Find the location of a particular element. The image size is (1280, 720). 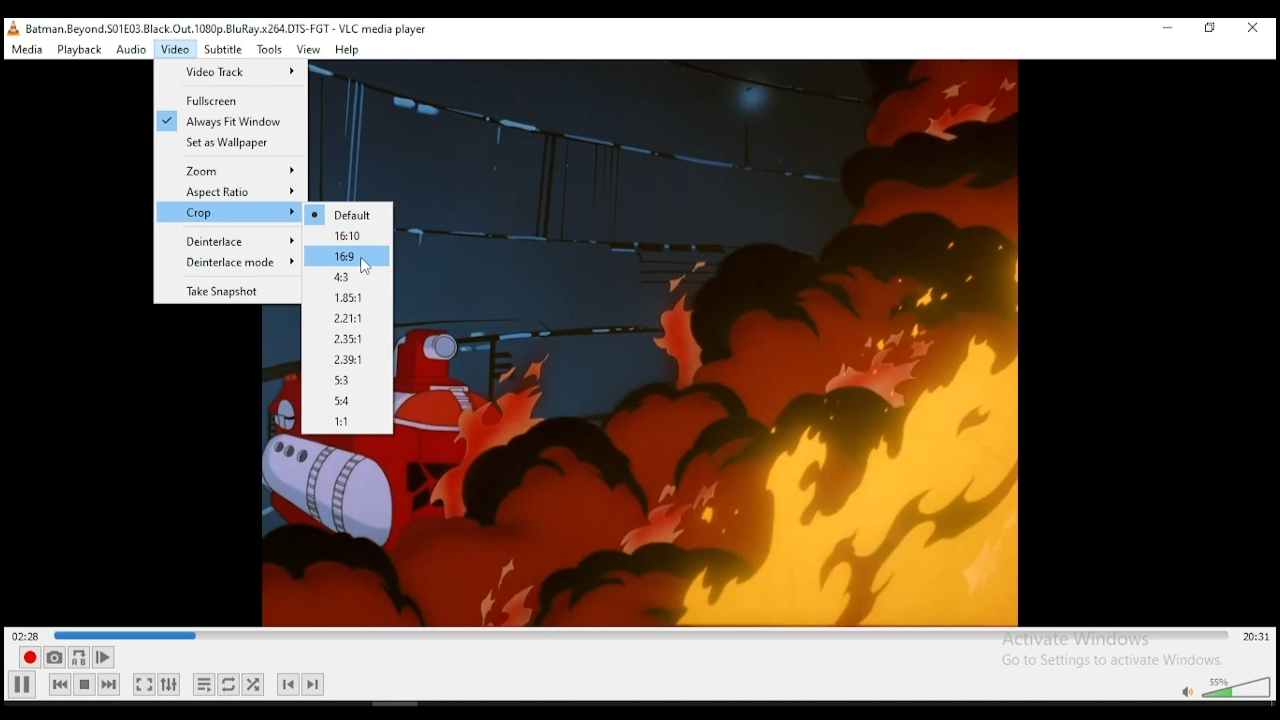

seek bar is located at coordinates (639, 636).